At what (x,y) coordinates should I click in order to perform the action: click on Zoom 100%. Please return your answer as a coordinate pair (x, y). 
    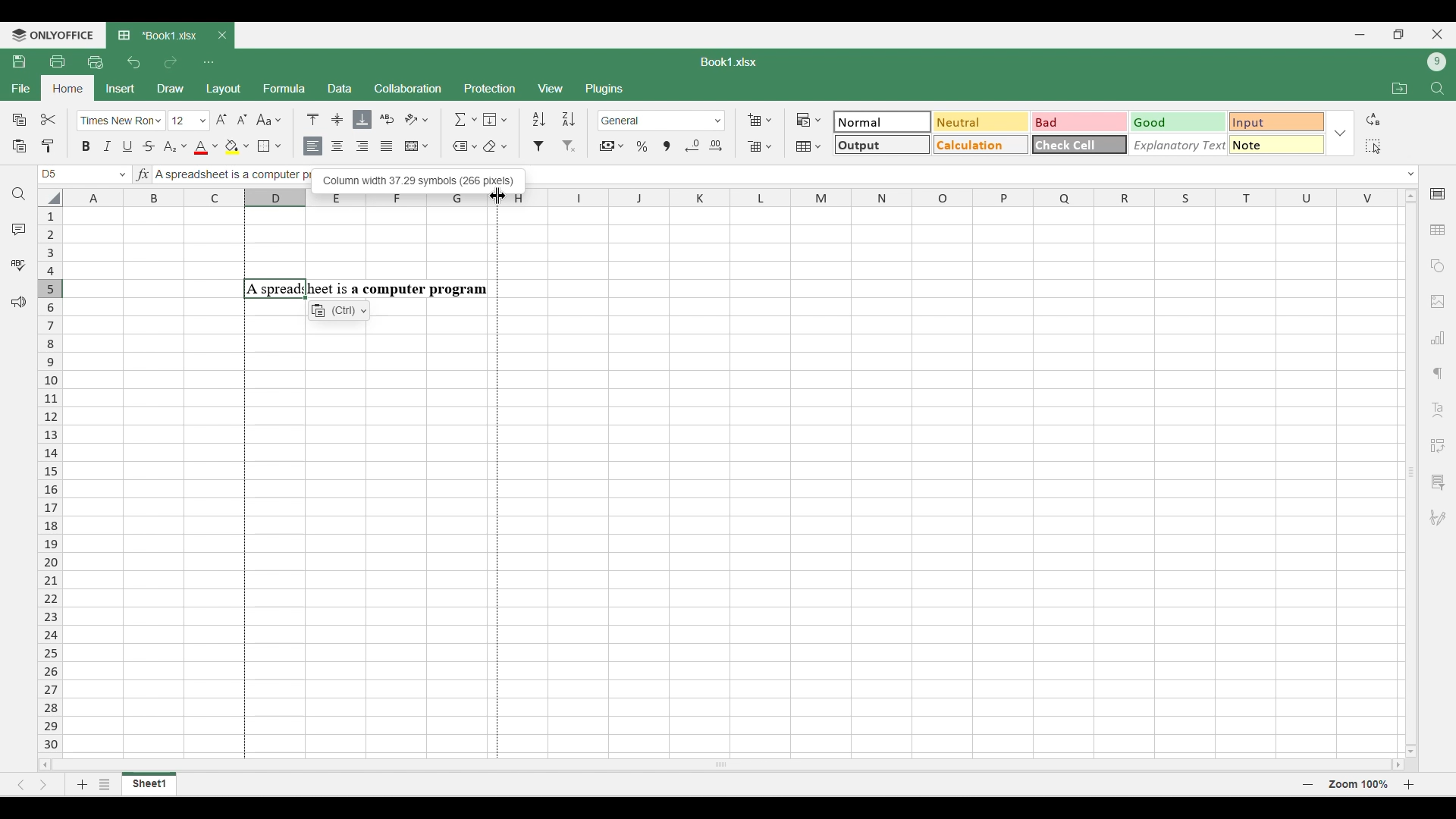
    Looking at the image, I should click on (1358, 783).